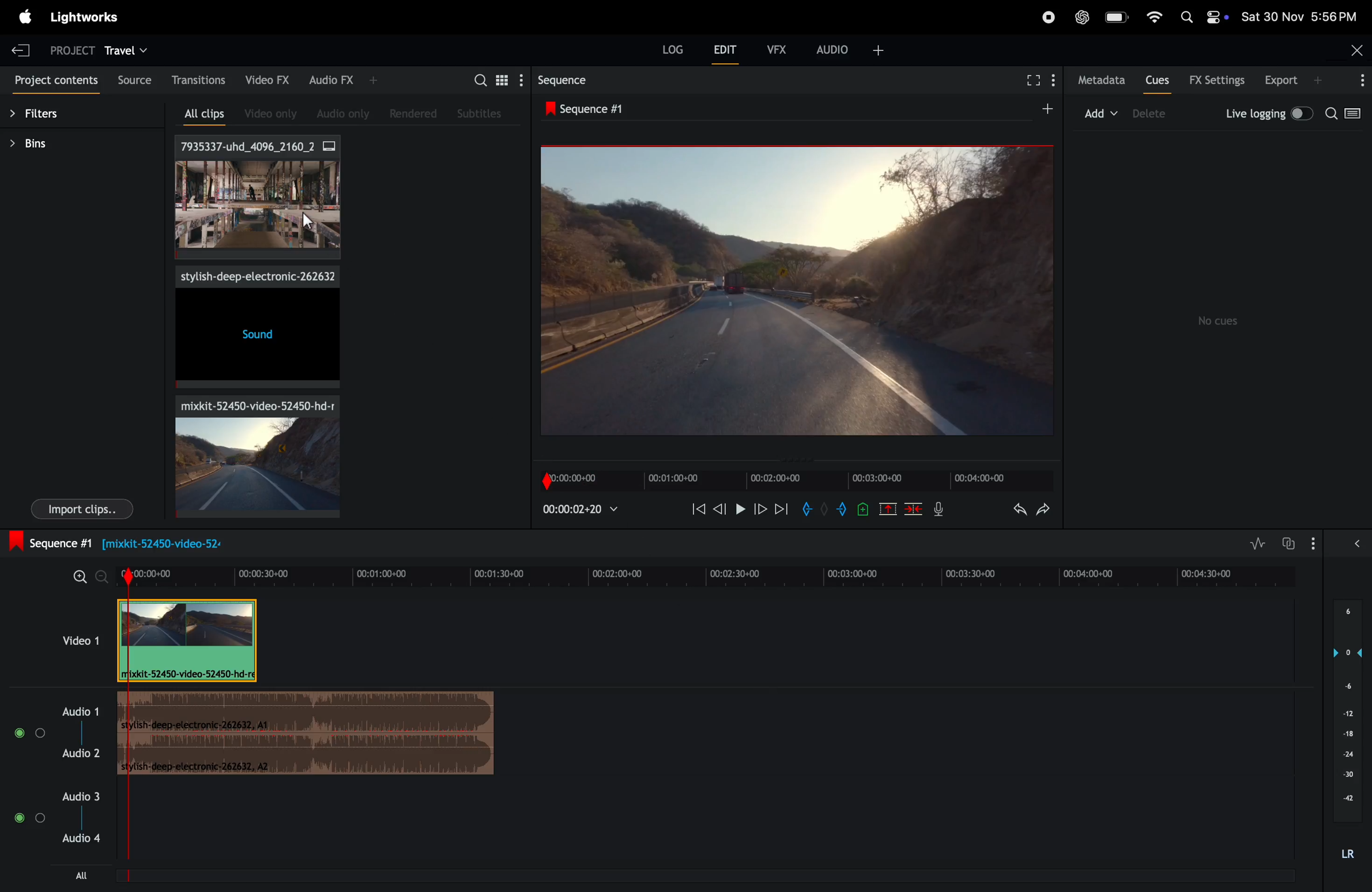 This screenshot has width=1372, height=892. I want to click on vfx, so click(775, 48).